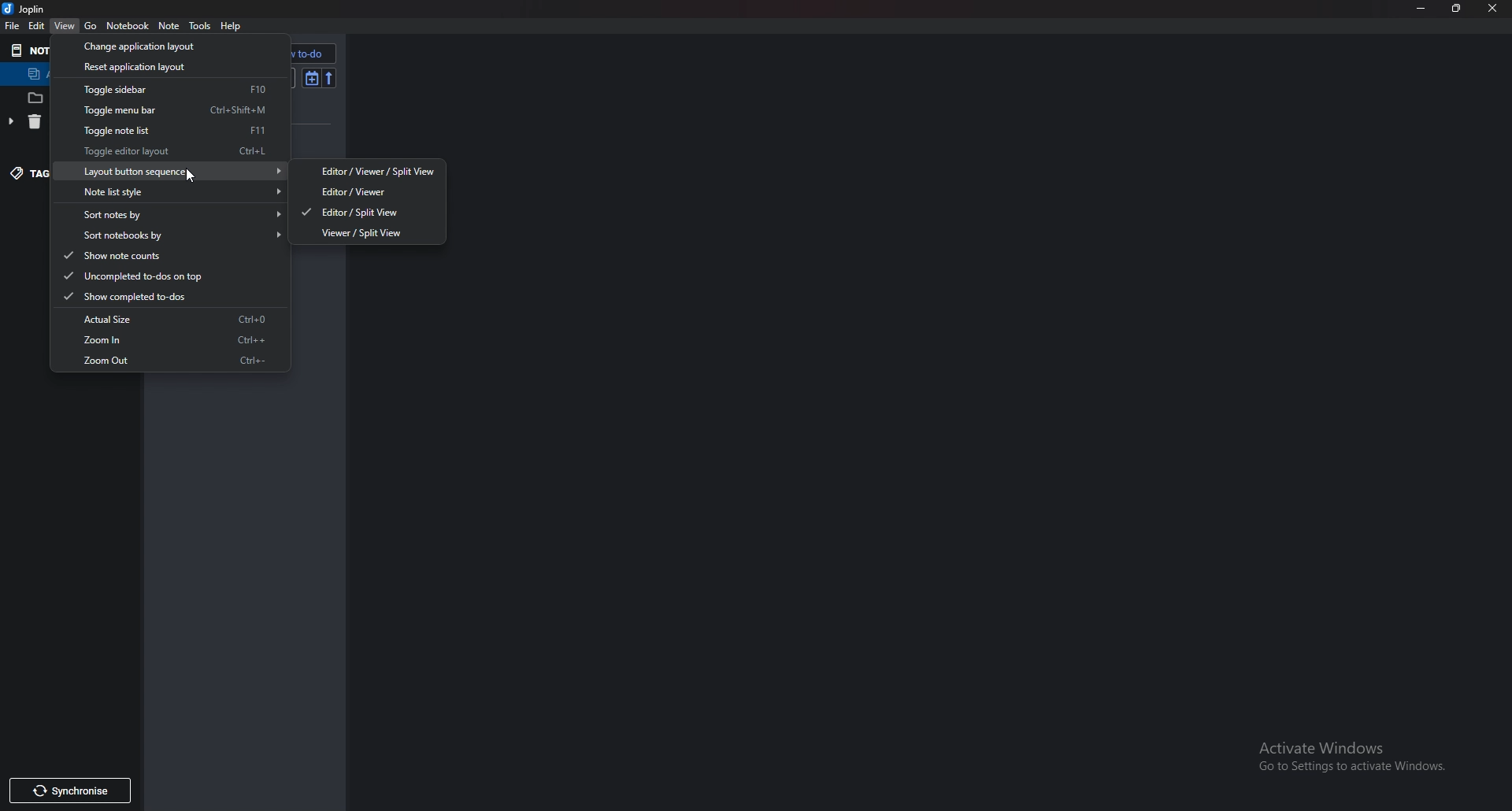 The image size is (1512, 811). What do you see at coordinates (129, 26) in the screenshot?
I see `Notebook` at bounding box center [129, 26].